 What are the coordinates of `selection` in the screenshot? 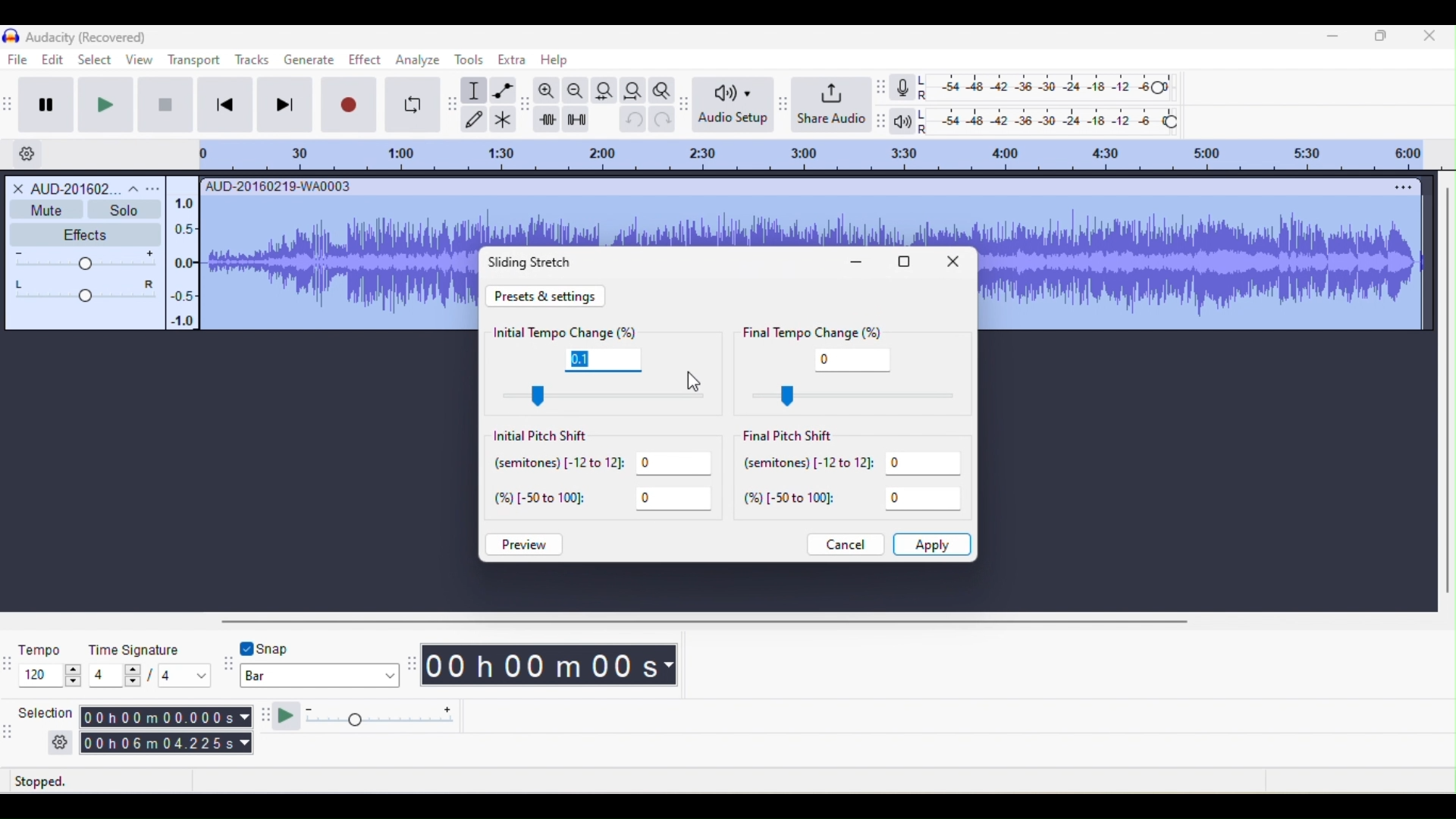 It's located at (43, 727).